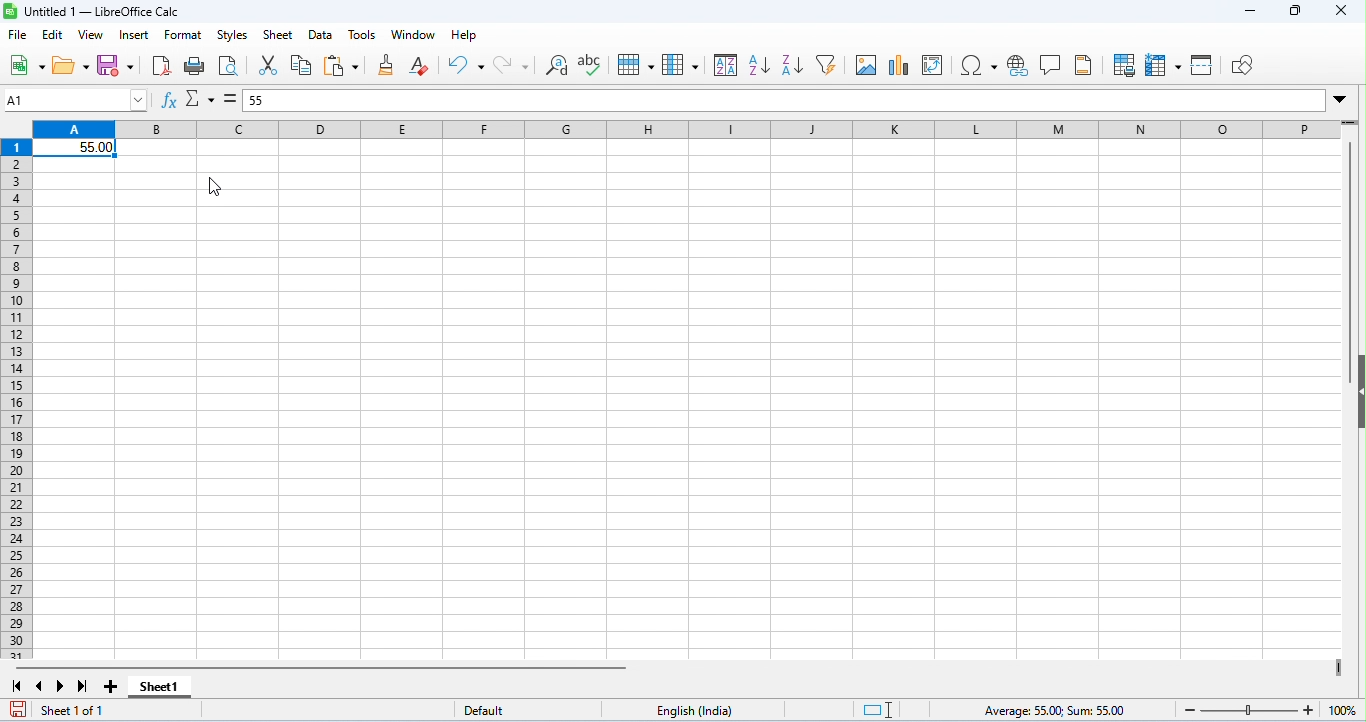 This screenshot has width=1366, height=722. Describe the element at coordinates (978, 65) in the screenshot. I see `insert special characters` at that location.